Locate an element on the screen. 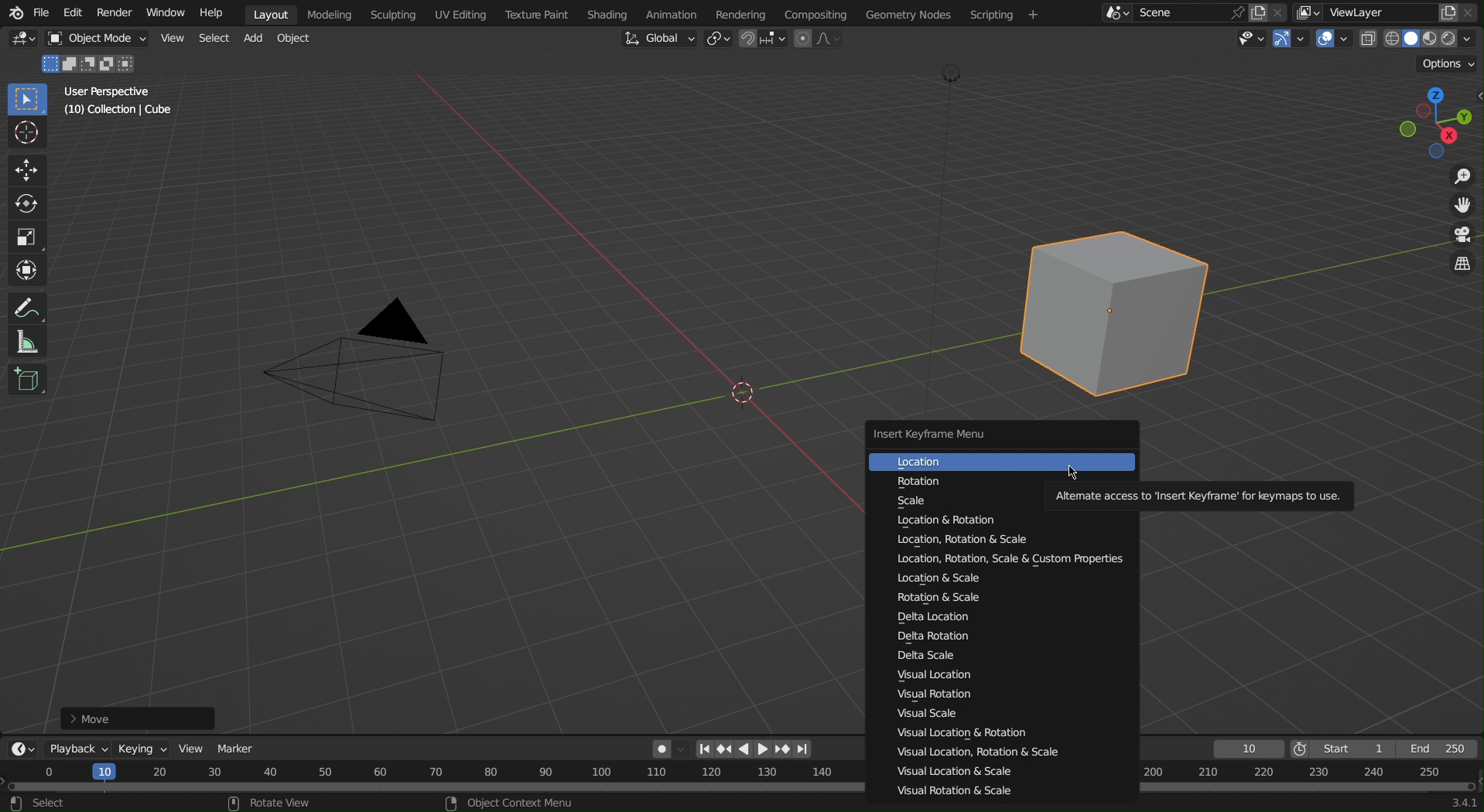 The height and width of the screenshot is (812, 1484). Last page is located at coordinates (805, 750).